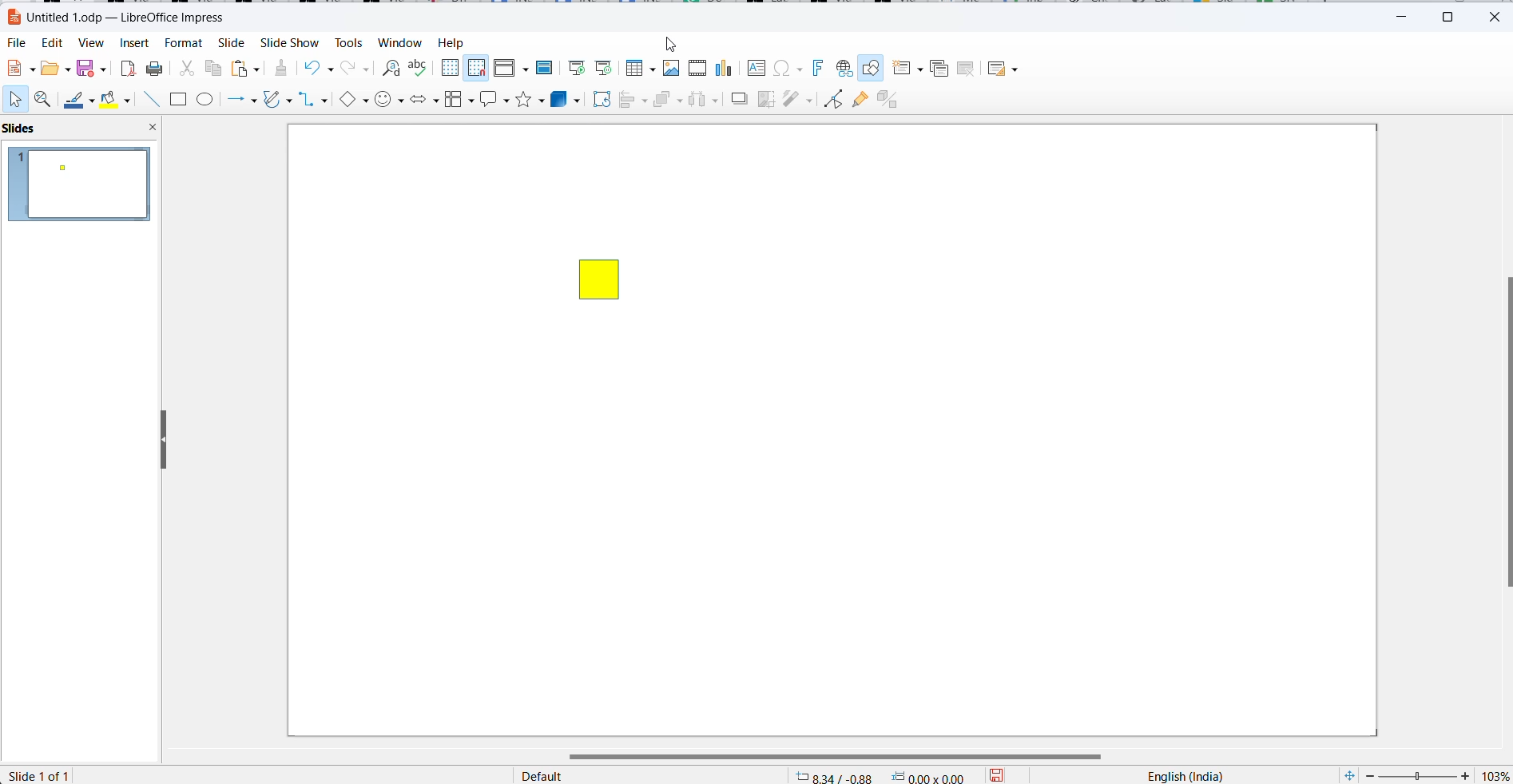 This screenshot has width=1513, height=784. Describe the element at coordinates (121, 775) in the screenshot. I see `shape selected` at that location.